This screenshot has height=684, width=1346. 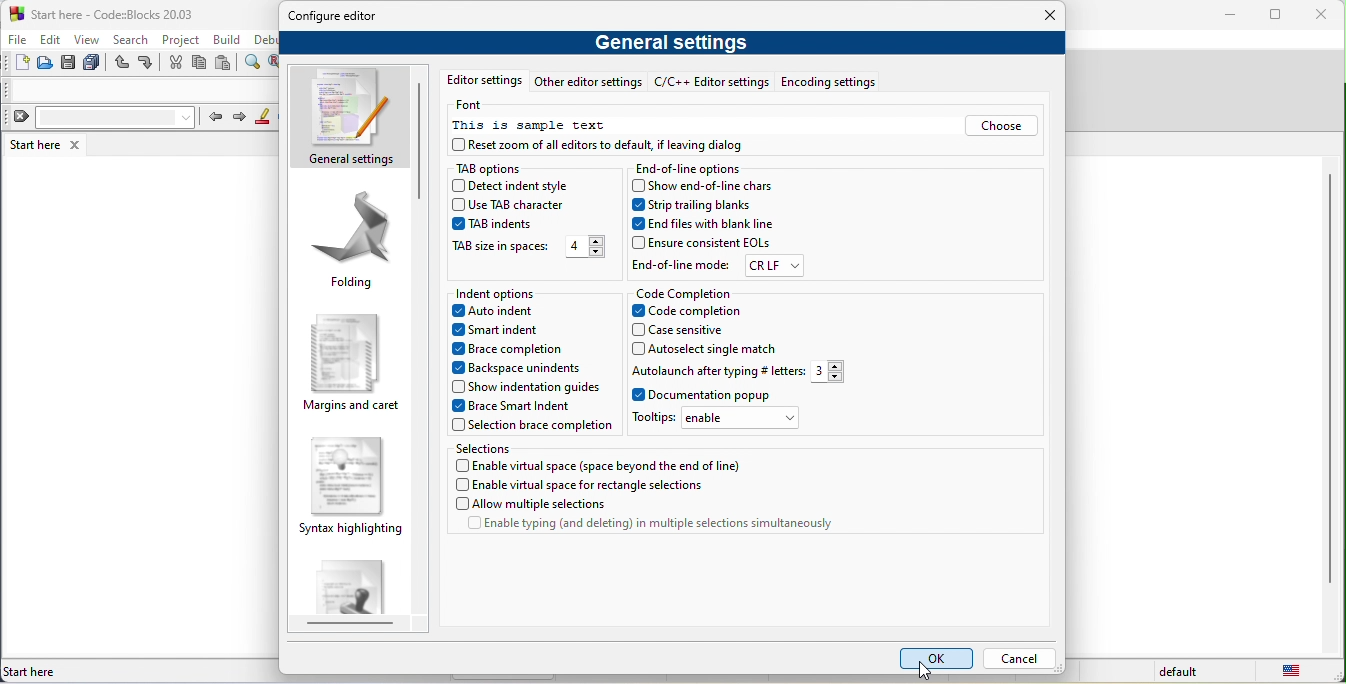 I want to click on general settings, so click(x=673, y=43).